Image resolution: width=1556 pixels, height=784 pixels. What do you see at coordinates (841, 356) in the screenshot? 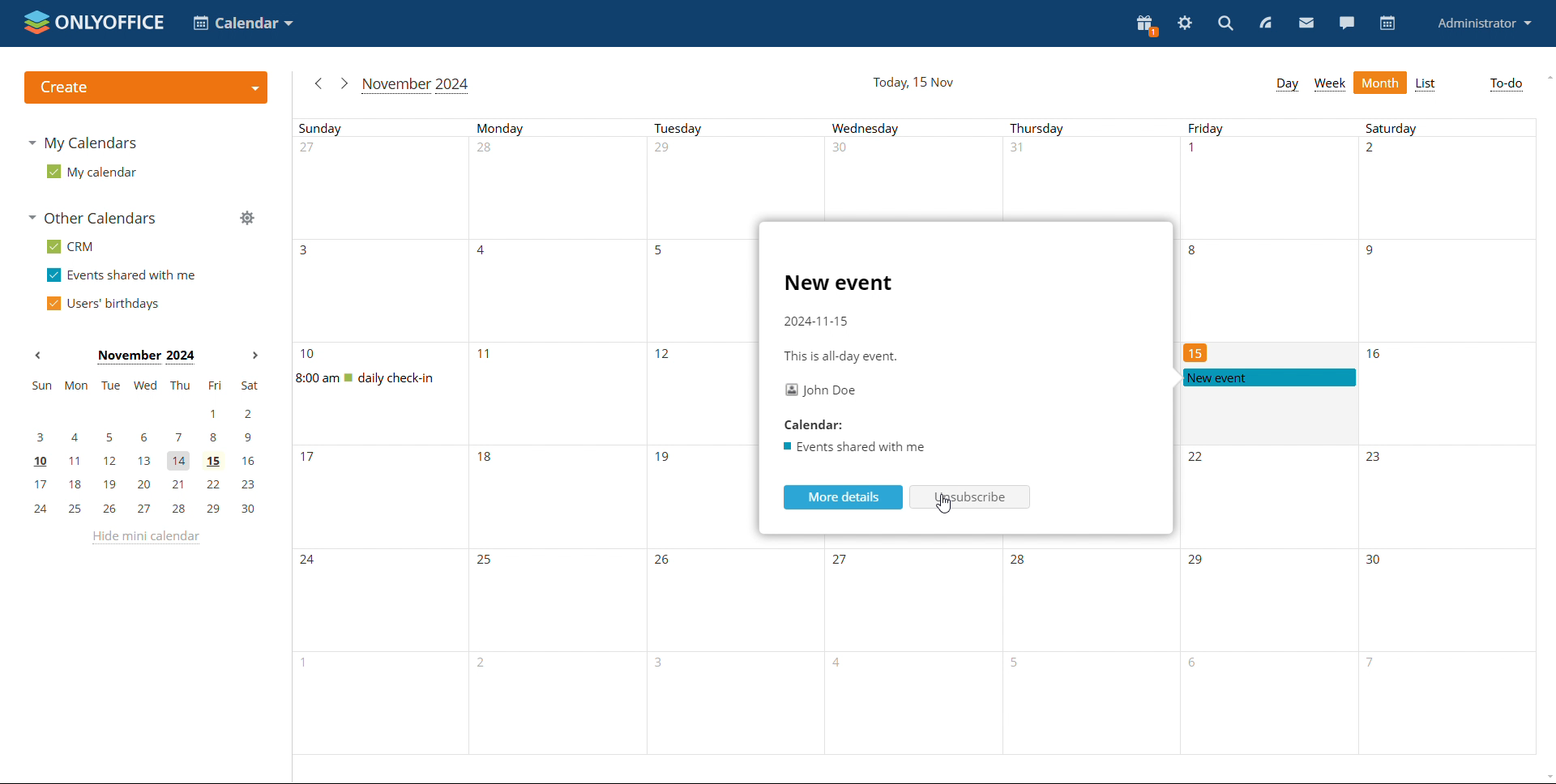
I see `event duration details` at bounding box center [841, 356].